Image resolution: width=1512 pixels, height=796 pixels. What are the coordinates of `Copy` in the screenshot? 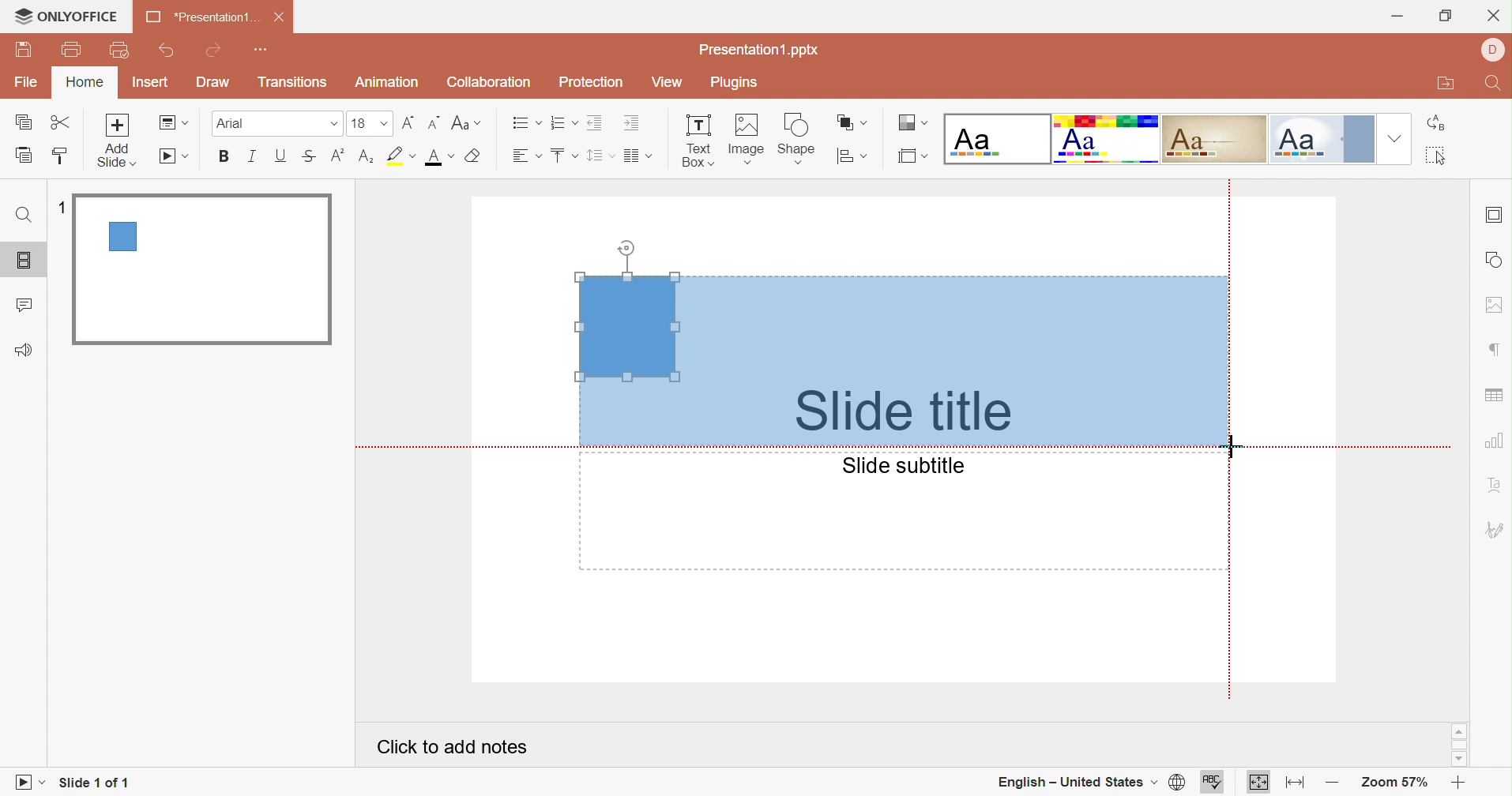 It's located at (23, 123).